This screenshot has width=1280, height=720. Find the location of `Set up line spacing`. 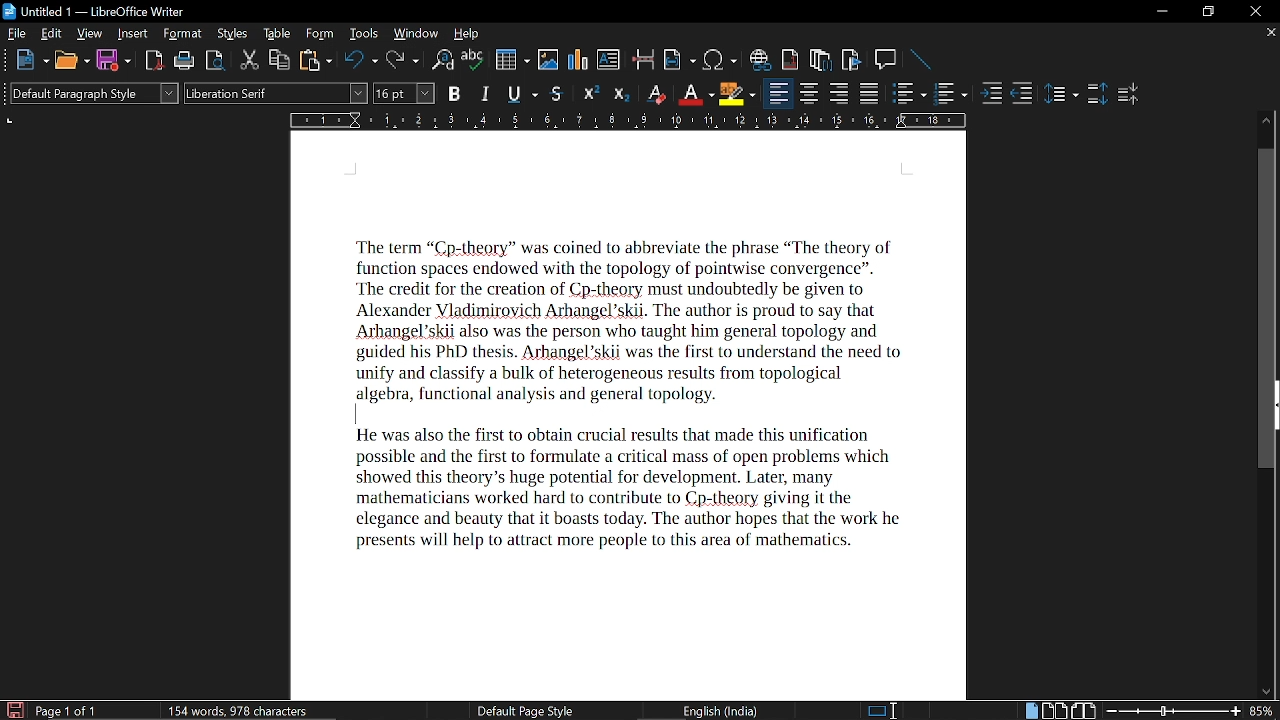

Set up line spacing is located at coordinates (1062, 95).